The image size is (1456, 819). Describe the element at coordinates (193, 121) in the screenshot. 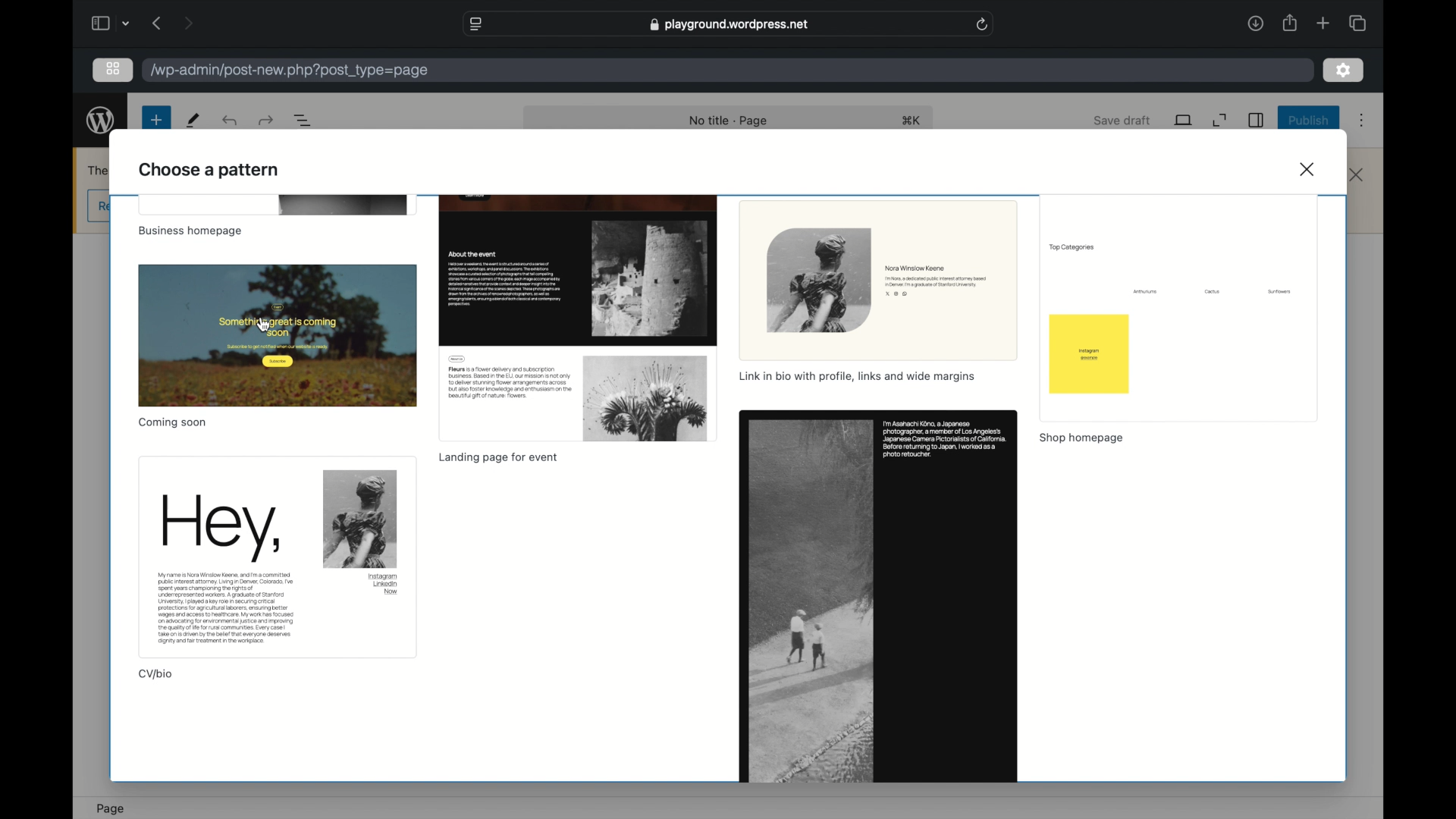

I see `tools` at that location.